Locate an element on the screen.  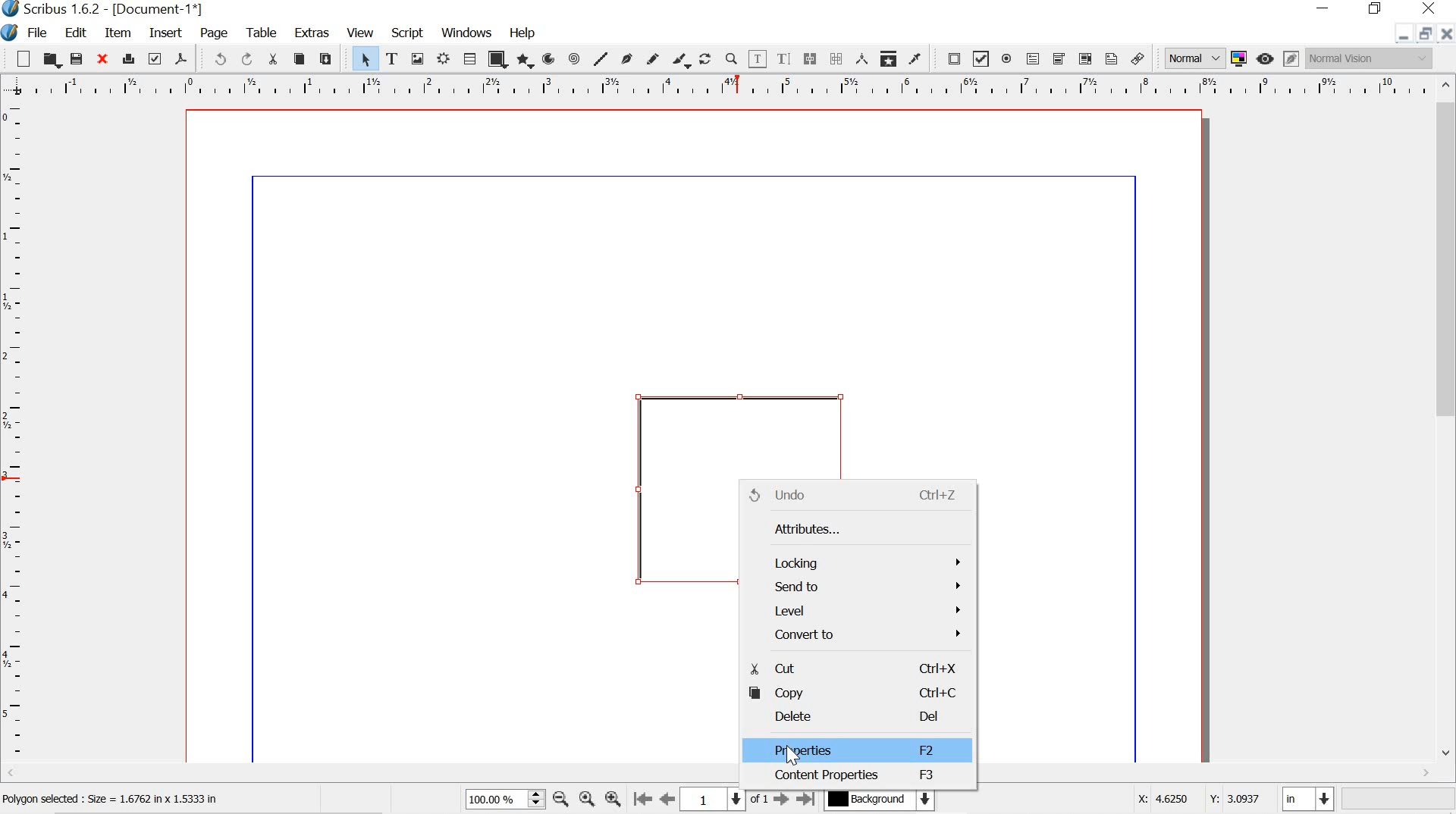
EDIT IN PREVIEW MODE is located at coordinates (1291, 58).